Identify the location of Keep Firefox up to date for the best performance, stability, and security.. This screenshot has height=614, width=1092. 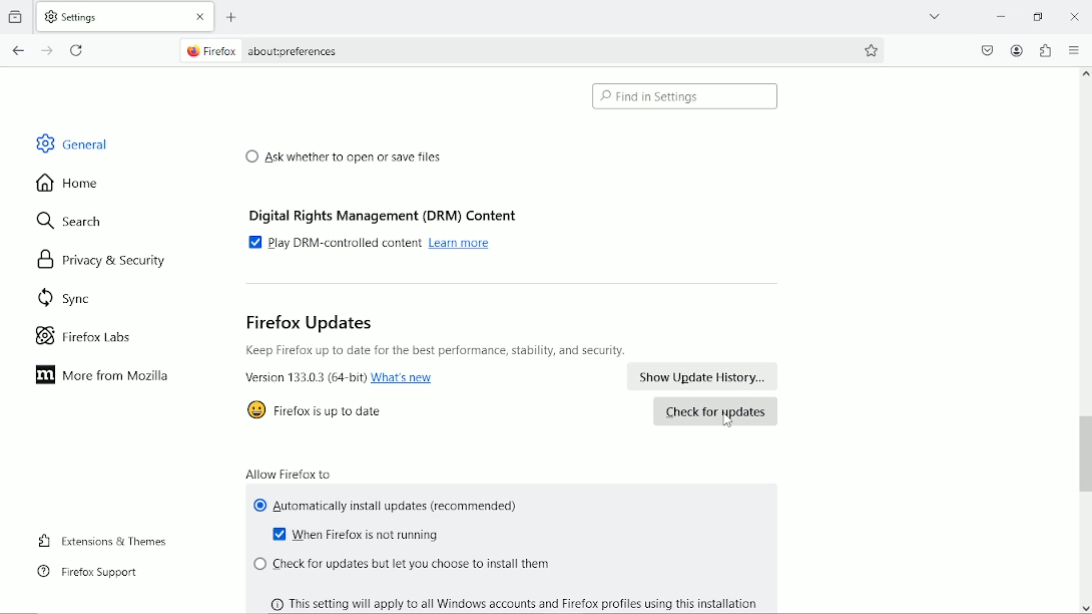
(437, 351).